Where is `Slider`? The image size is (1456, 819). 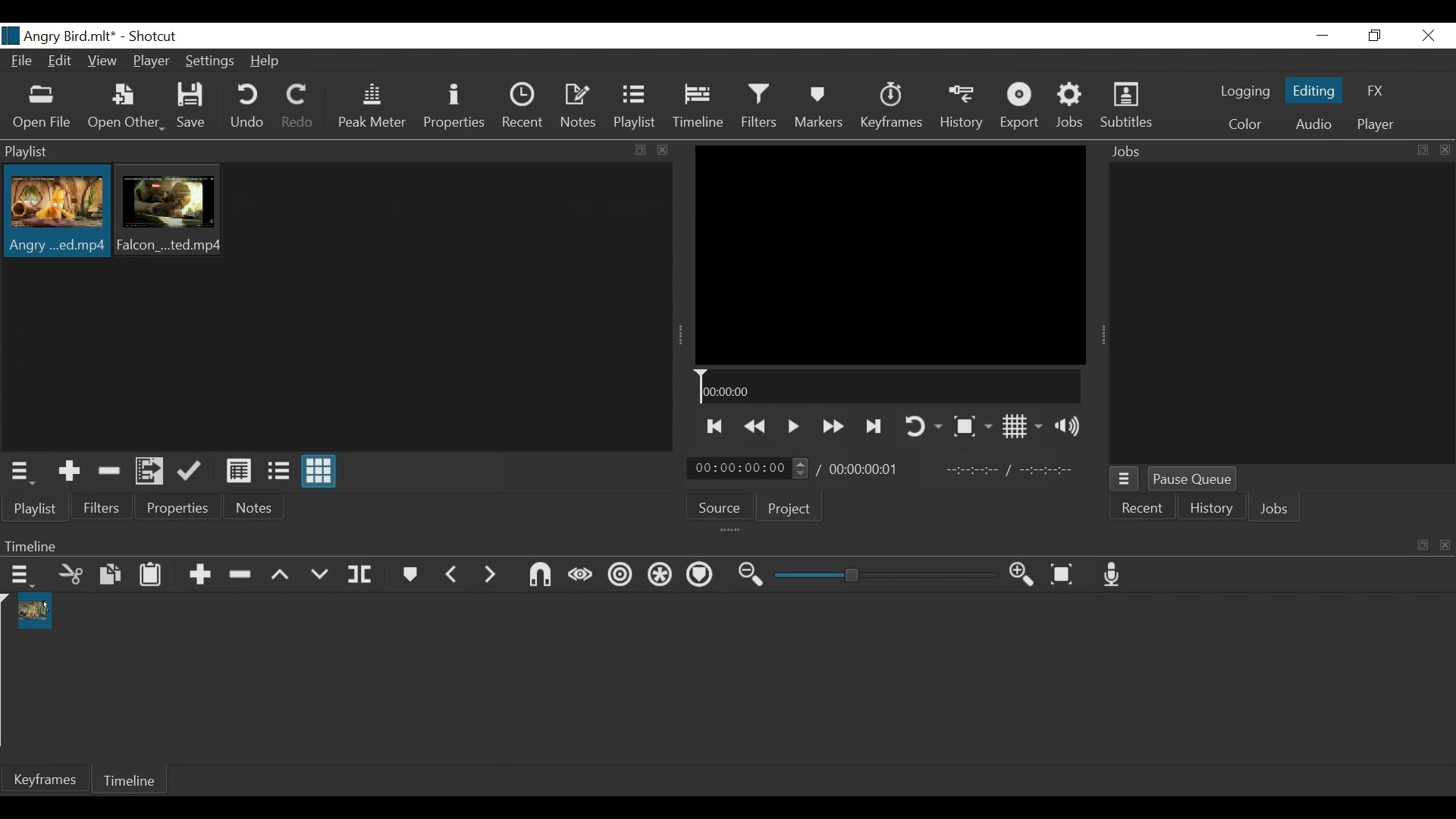 Slider is located at coordinates (886, 575).